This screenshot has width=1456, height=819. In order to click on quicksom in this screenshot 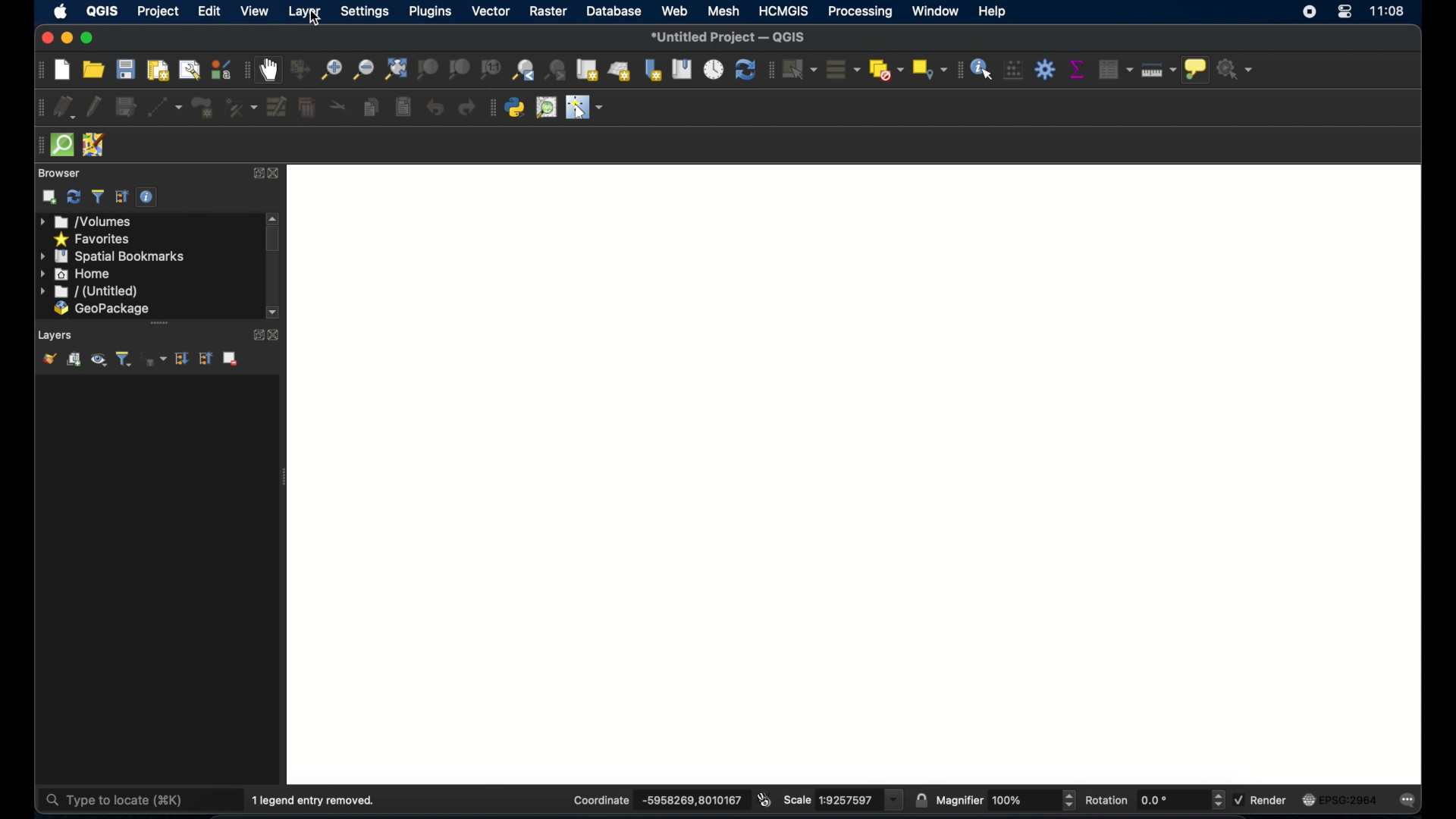, I will do `click(62, 145)`.